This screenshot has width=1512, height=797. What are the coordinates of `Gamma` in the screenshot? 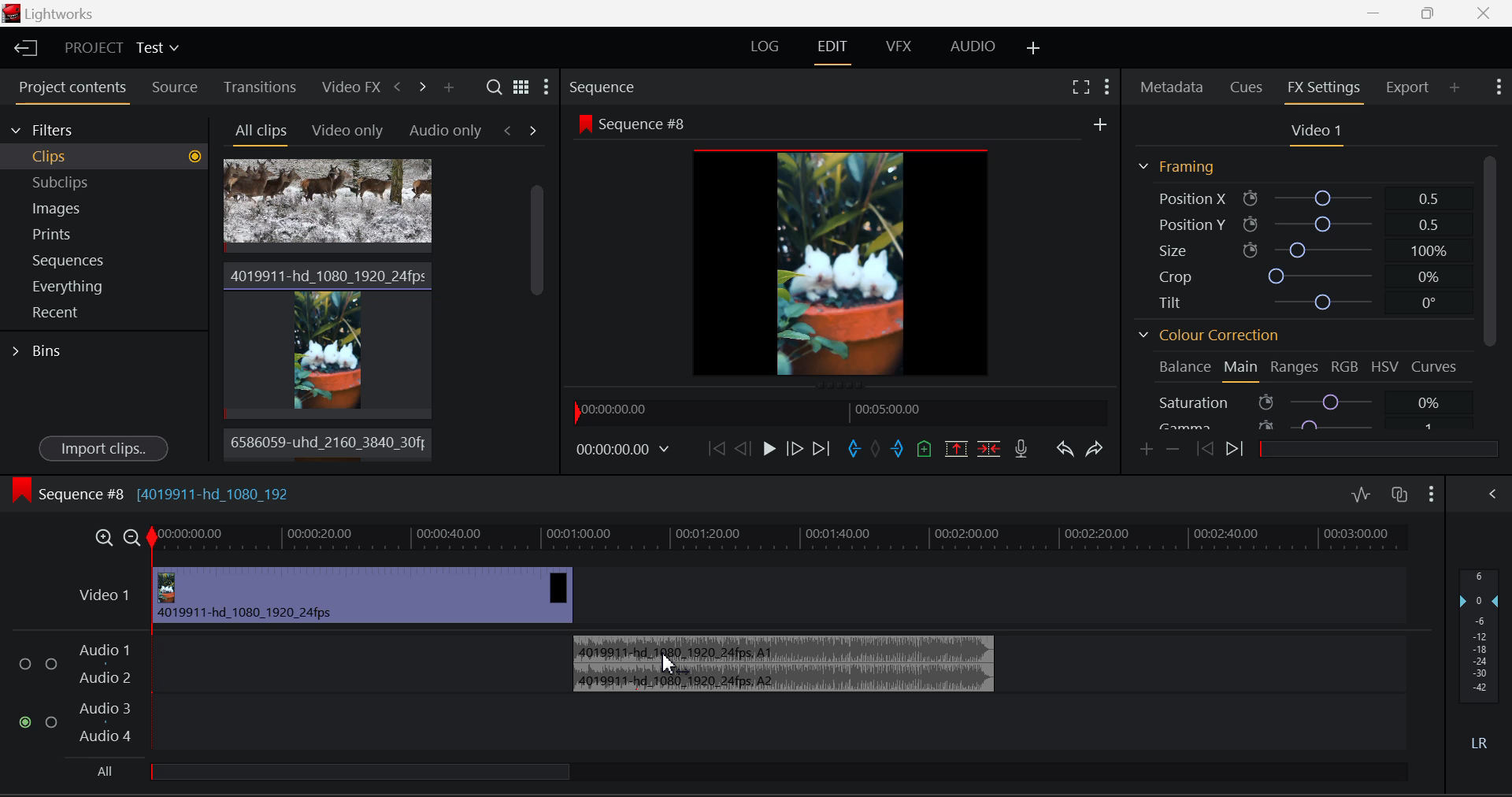 It's located at (1310, 424).